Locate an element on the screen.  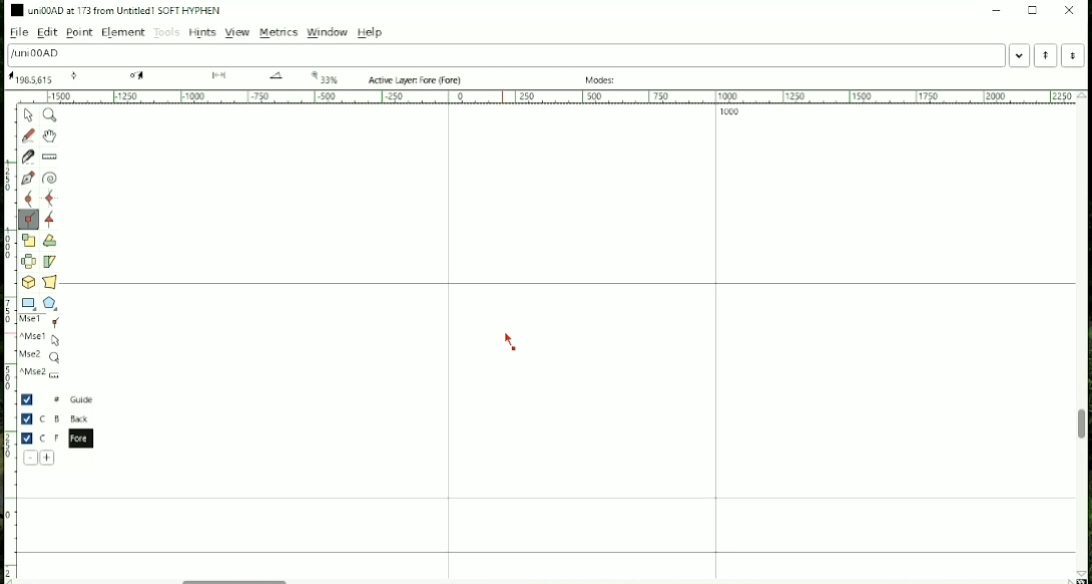
Edit is located at coordinates (49, 33).